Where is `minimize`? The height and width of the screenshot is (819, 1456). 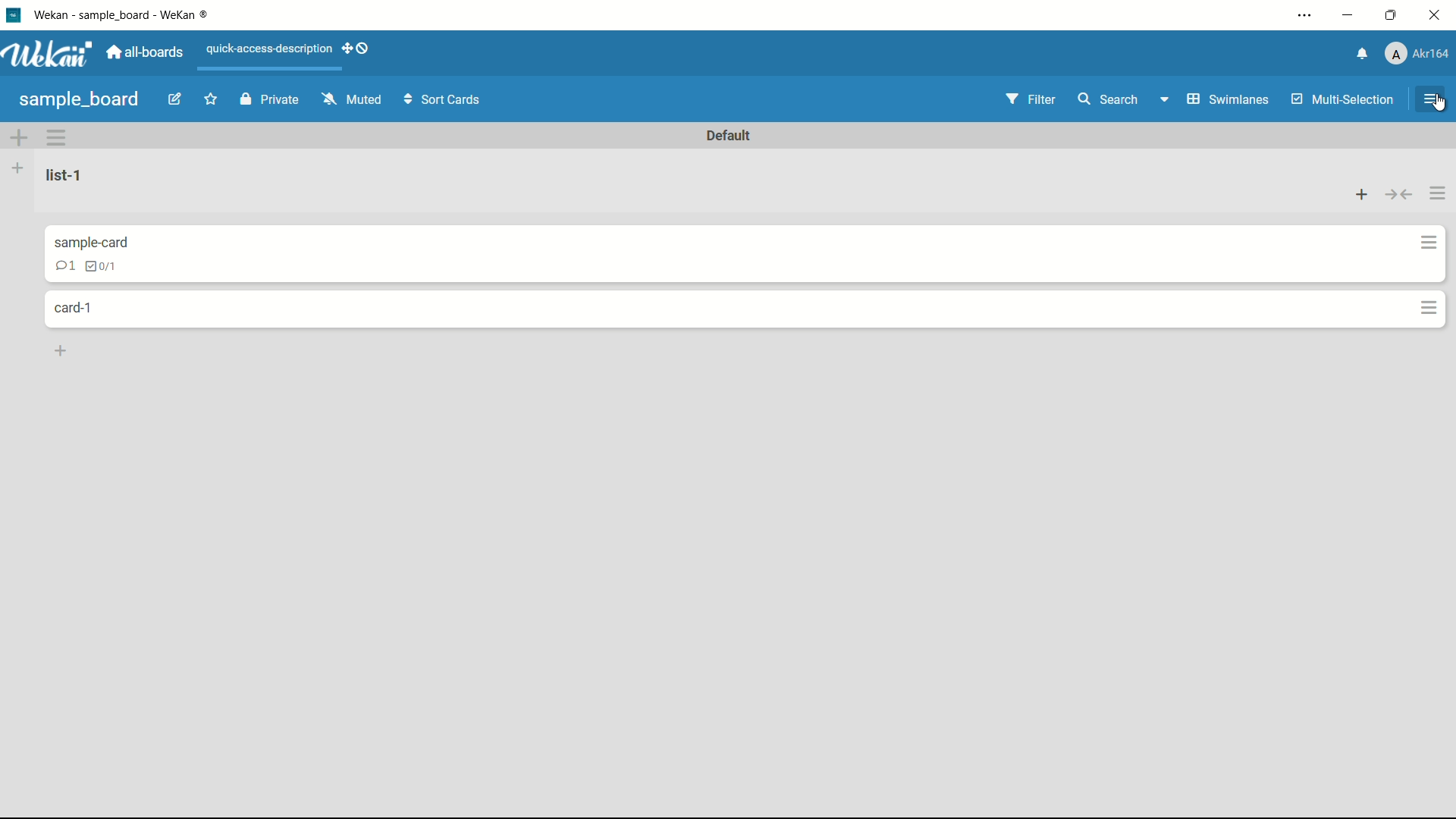 minimize is located at coordinates (1351, 15).